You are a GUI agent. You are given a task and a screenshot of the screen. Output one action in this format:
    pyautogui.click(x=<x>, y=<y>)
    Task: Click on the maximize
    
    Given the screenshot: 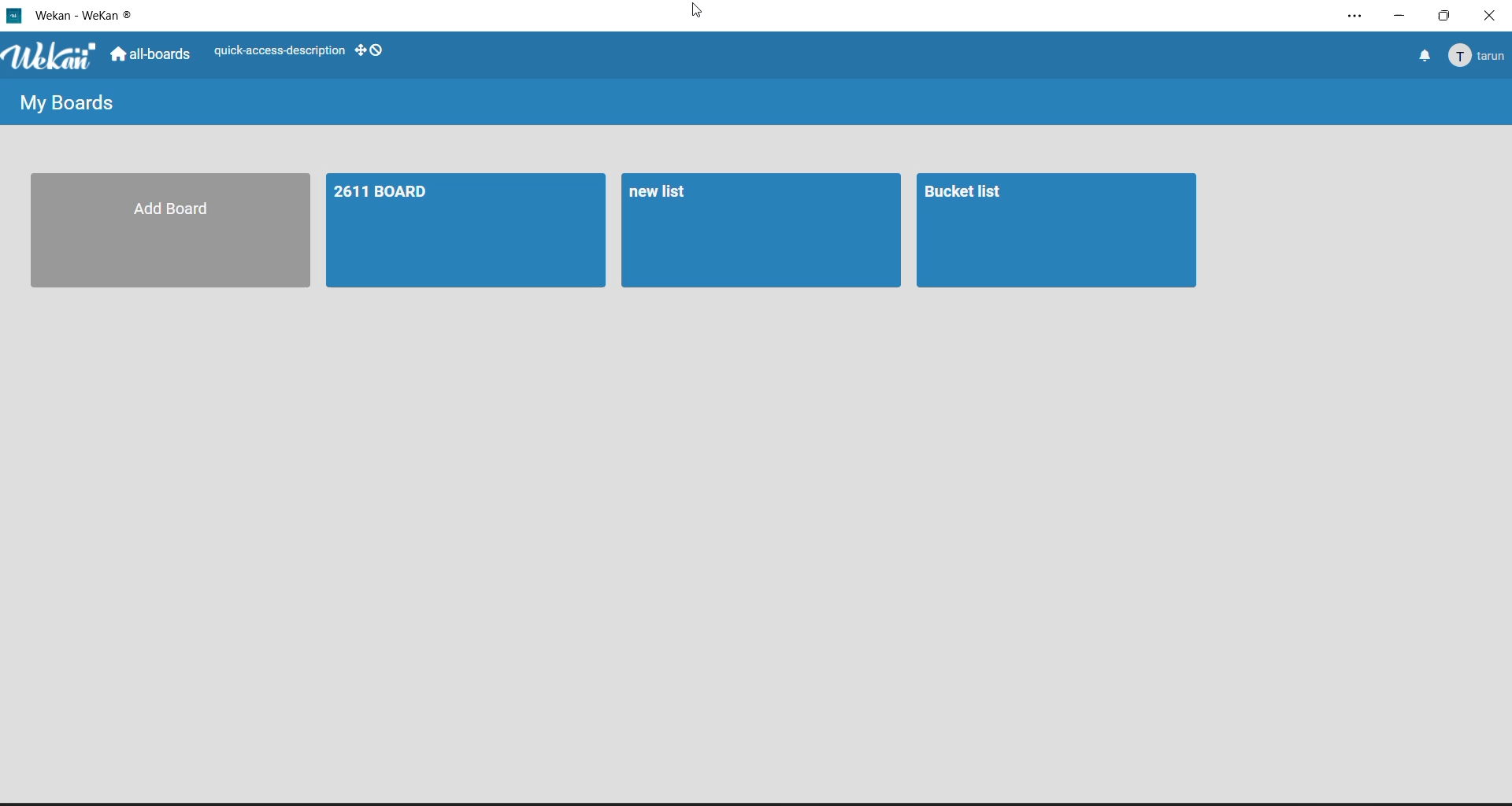 What is the action you would take?
    pyautogui.click(x=1448, y=19)
    